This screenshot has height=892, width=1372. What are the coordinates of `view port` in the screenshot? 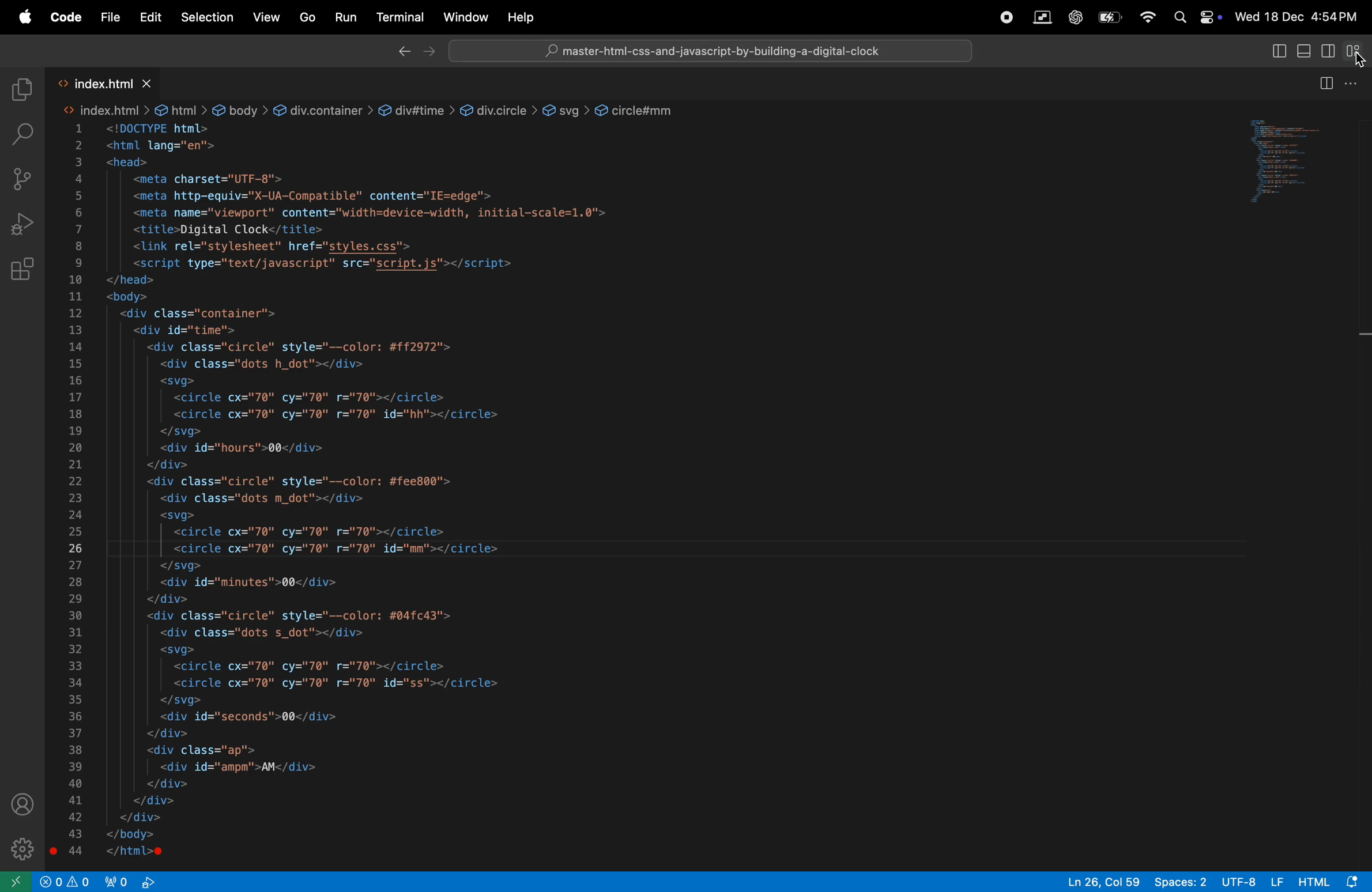 It's located at (131, 880).